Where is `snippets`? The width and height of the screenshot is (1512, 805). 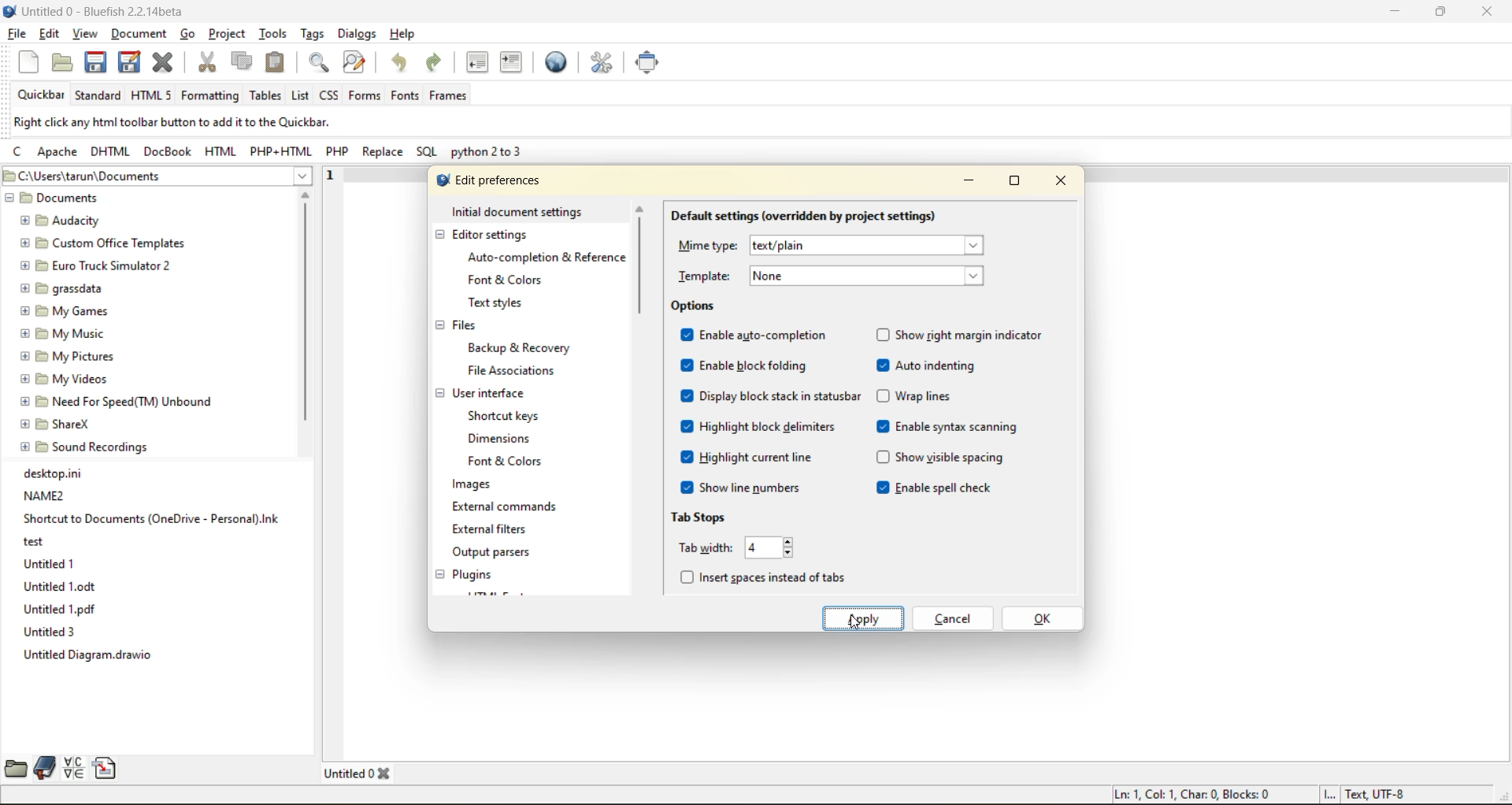
snippets is located at coordinates (105, 767).